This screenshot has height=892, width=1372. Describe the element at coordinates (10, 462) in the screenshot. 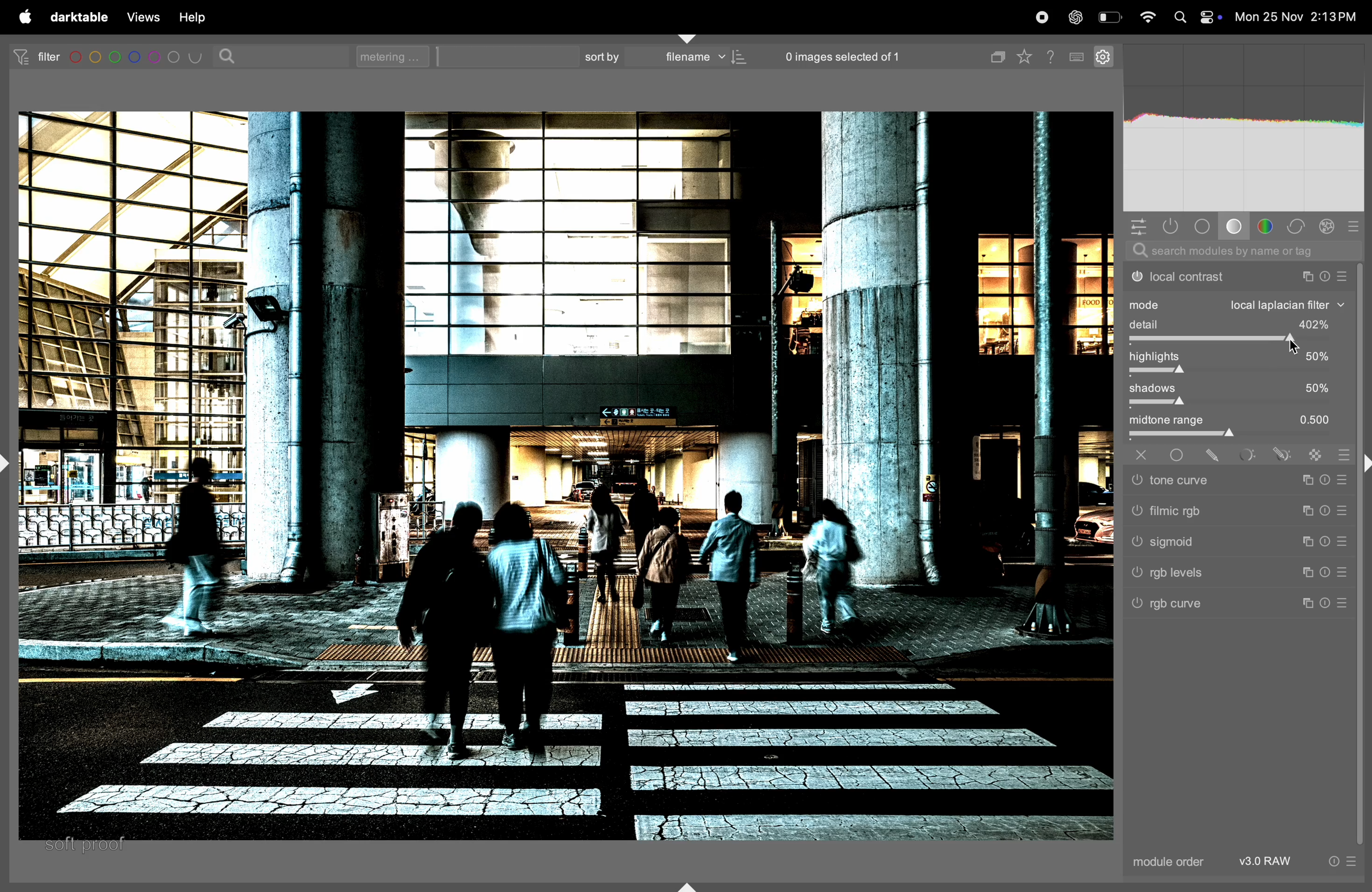

I see `shift+ctrl+l` at that location.